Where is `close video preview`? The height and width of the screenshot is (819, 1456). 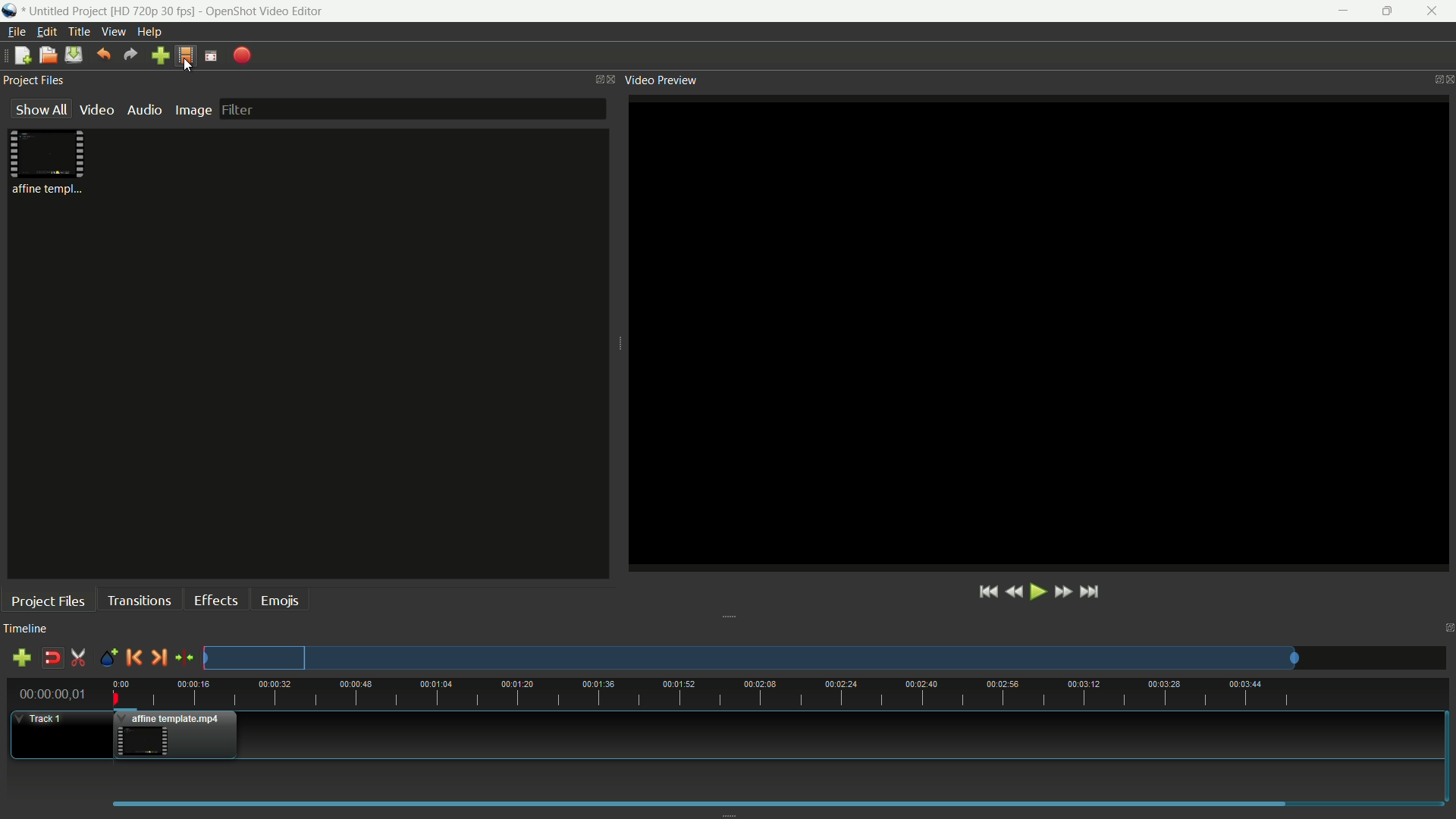
close video preview is located at coordinates (1447, 78).